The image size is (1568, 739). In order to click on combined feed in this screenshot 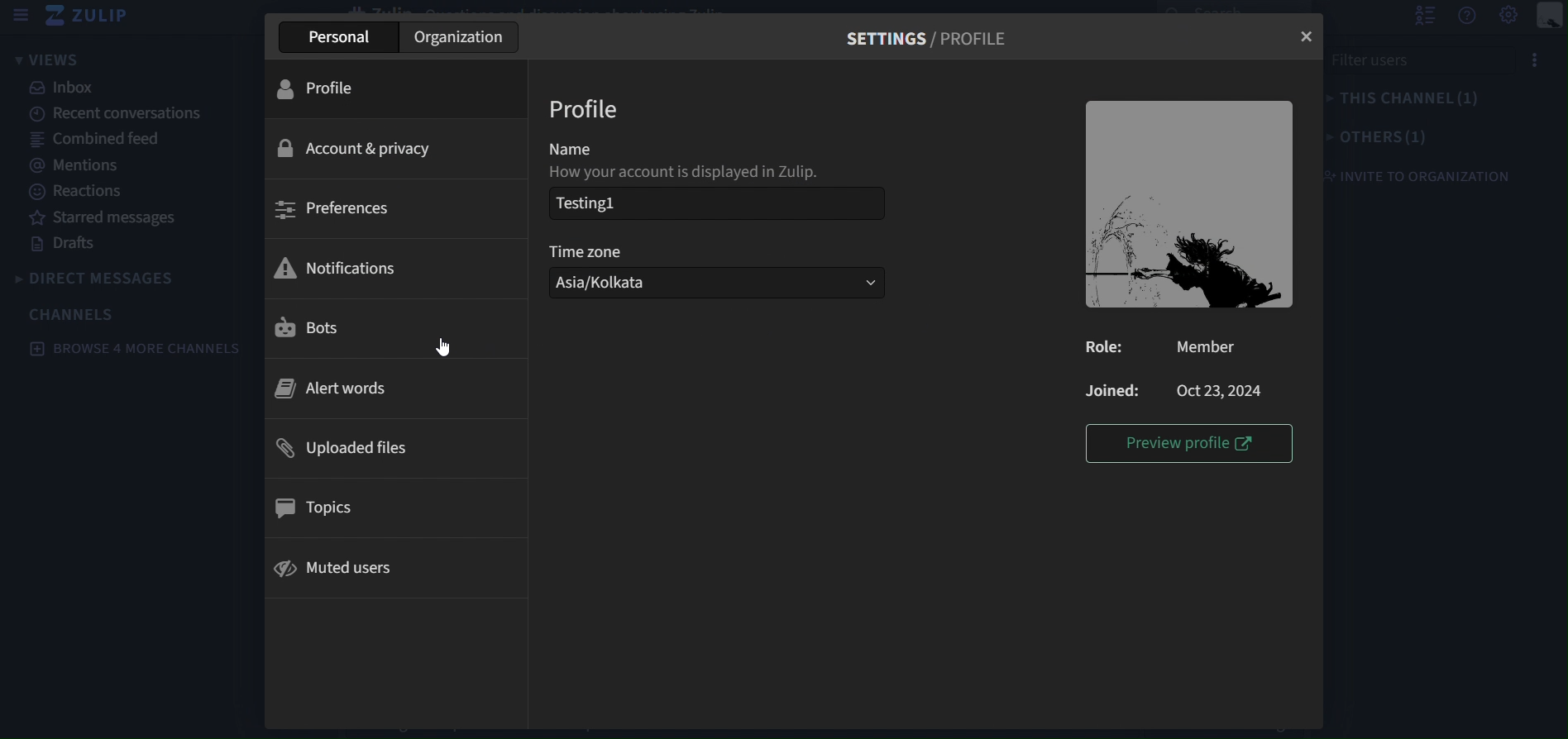, I will do `click(127, 140)`.